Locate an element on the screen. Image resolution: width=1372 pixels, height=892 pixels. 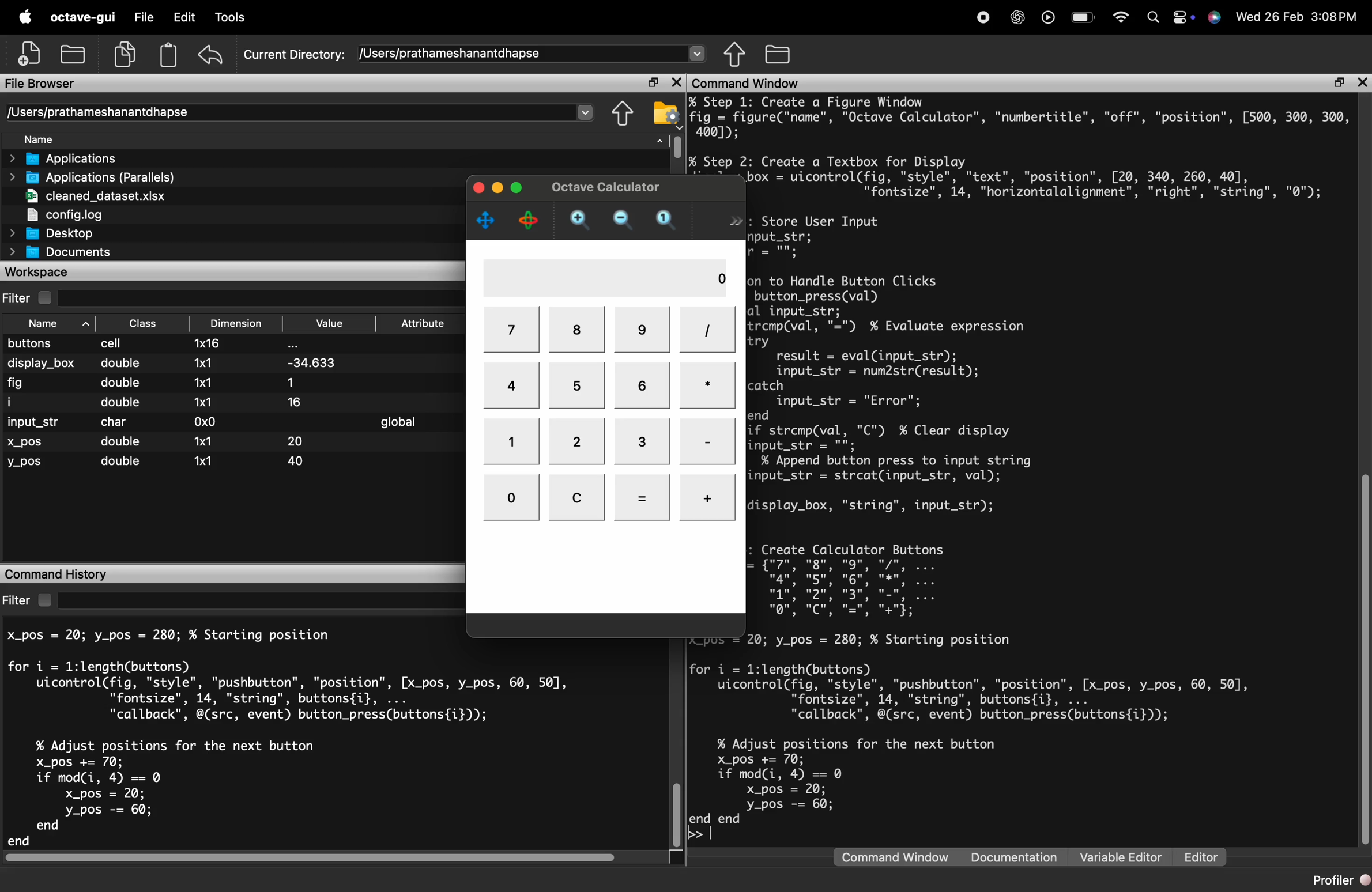
cell is located at coordinates (116, 343).